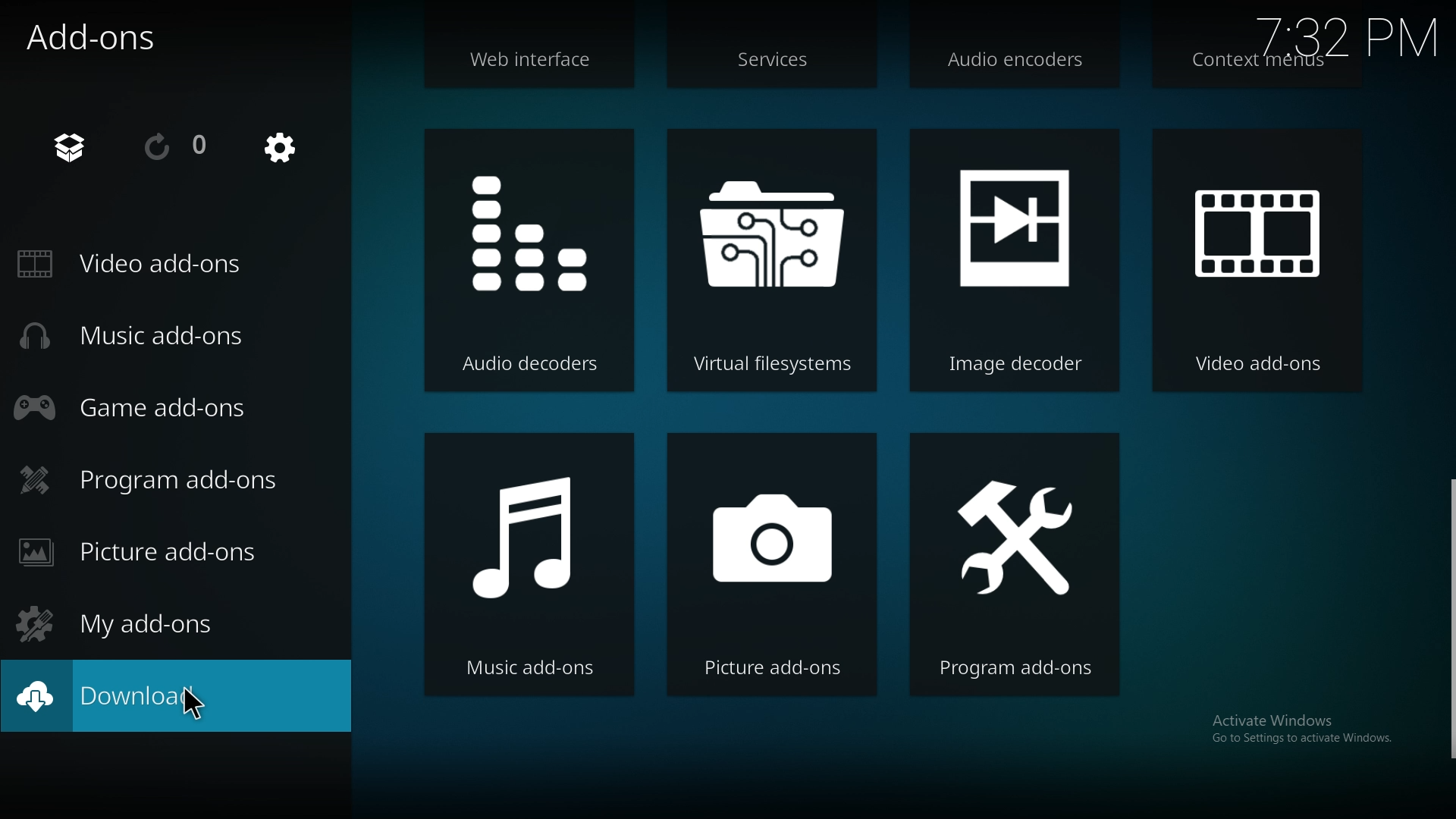 This screenshot has height=819, width=1456. I want to click on refresh, so click(176, 148).